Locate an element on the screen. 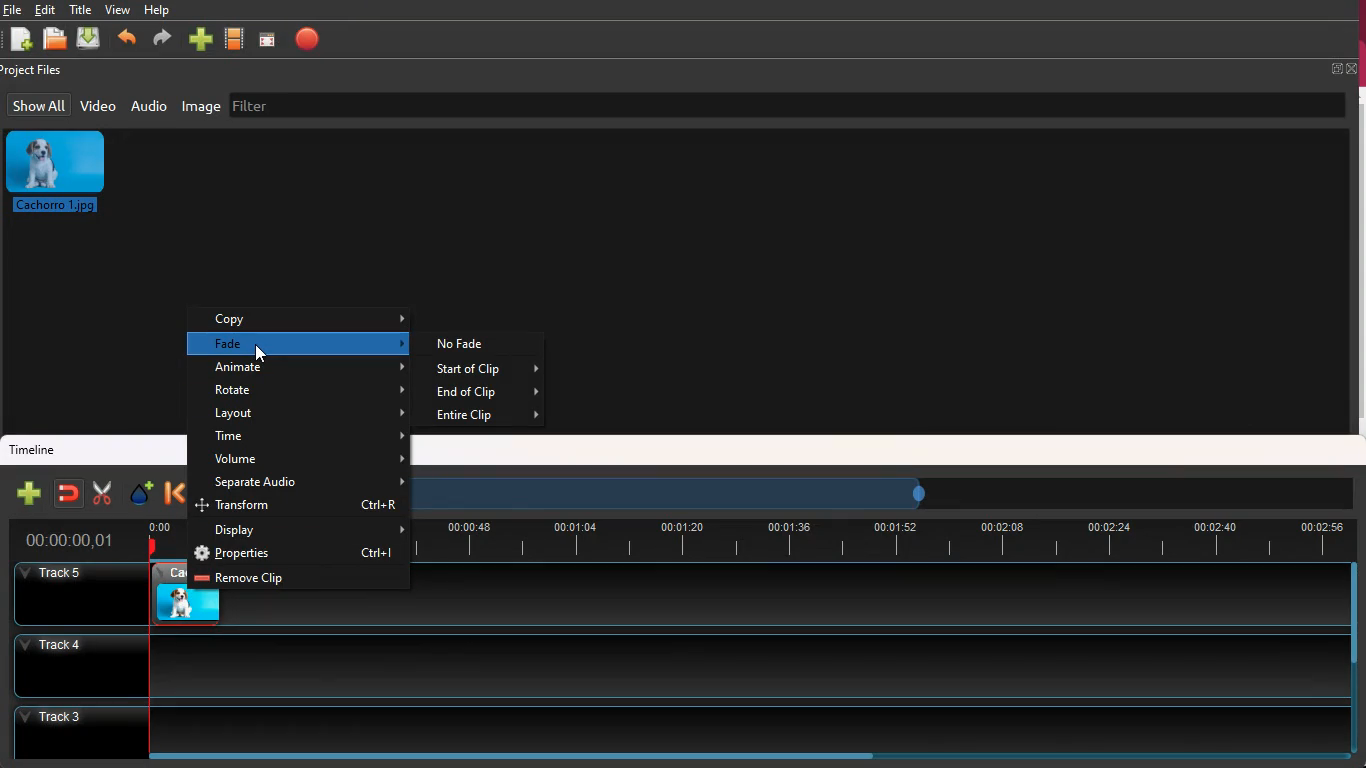 The height and width of the screenshot is (768, 1366). properties is located at coordinates (301, 554).